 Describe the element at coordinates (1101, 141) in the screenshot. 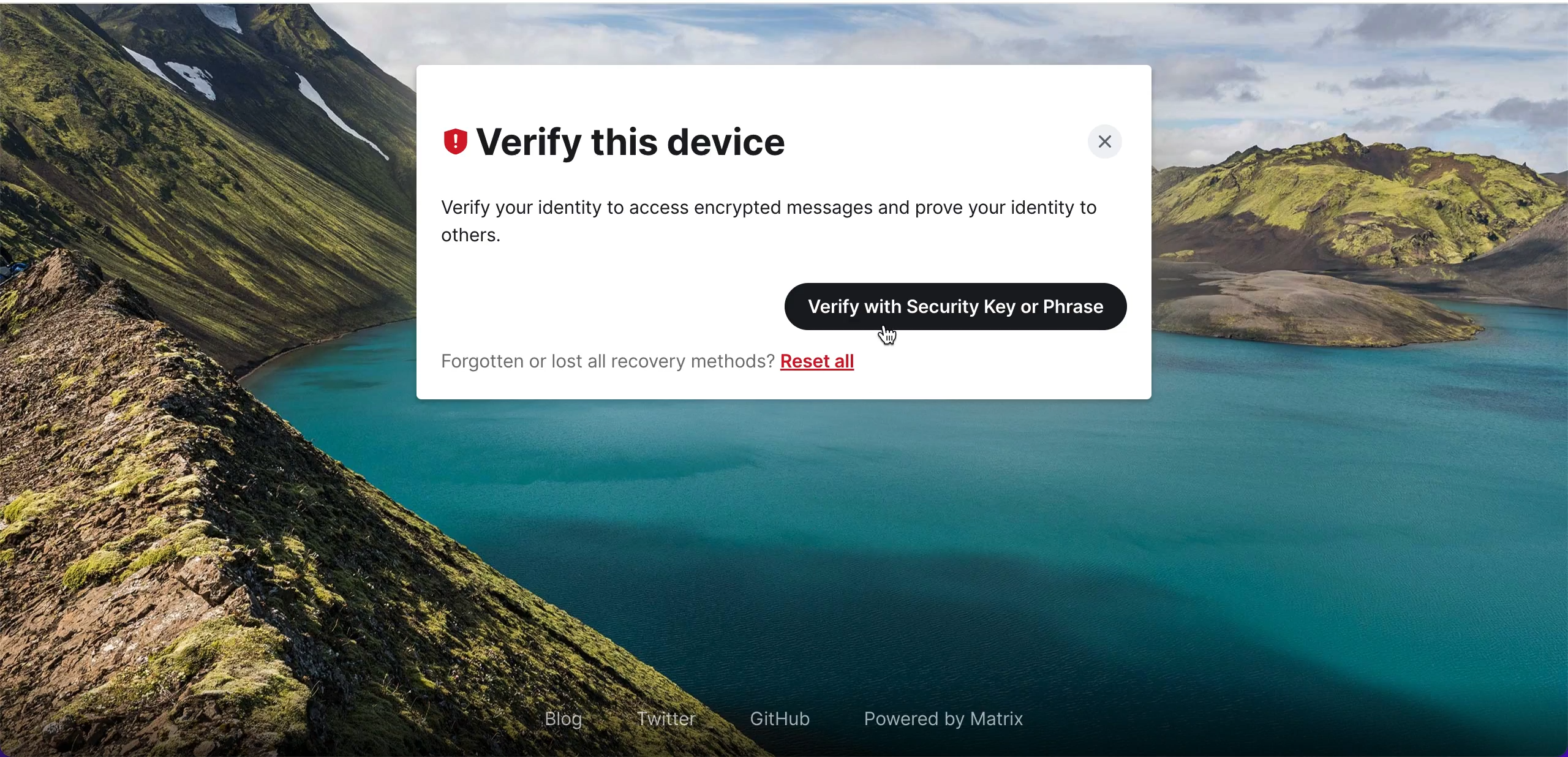

I see `close` at that location.